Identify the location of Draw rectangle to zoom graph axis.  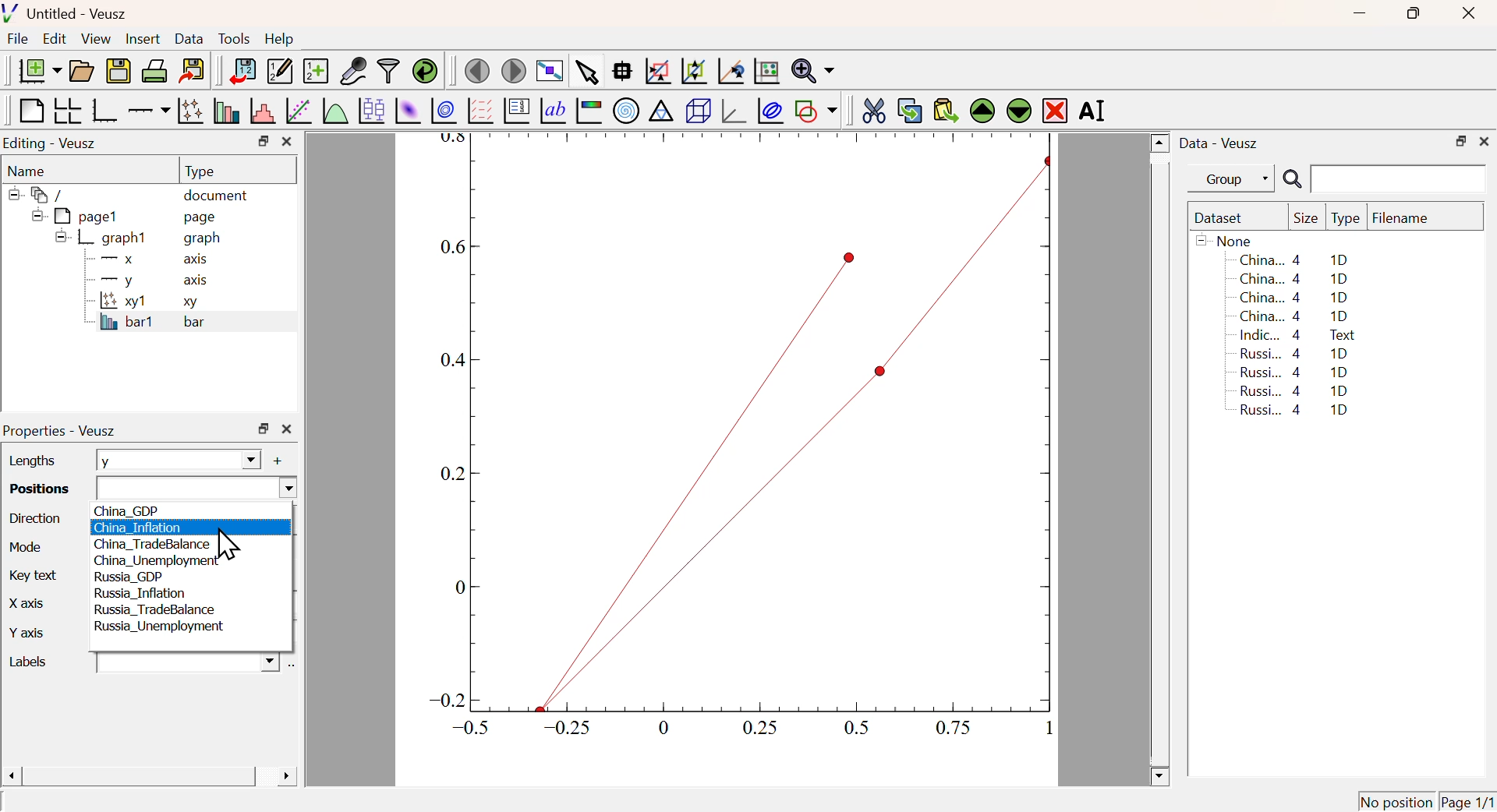
(656, 71).